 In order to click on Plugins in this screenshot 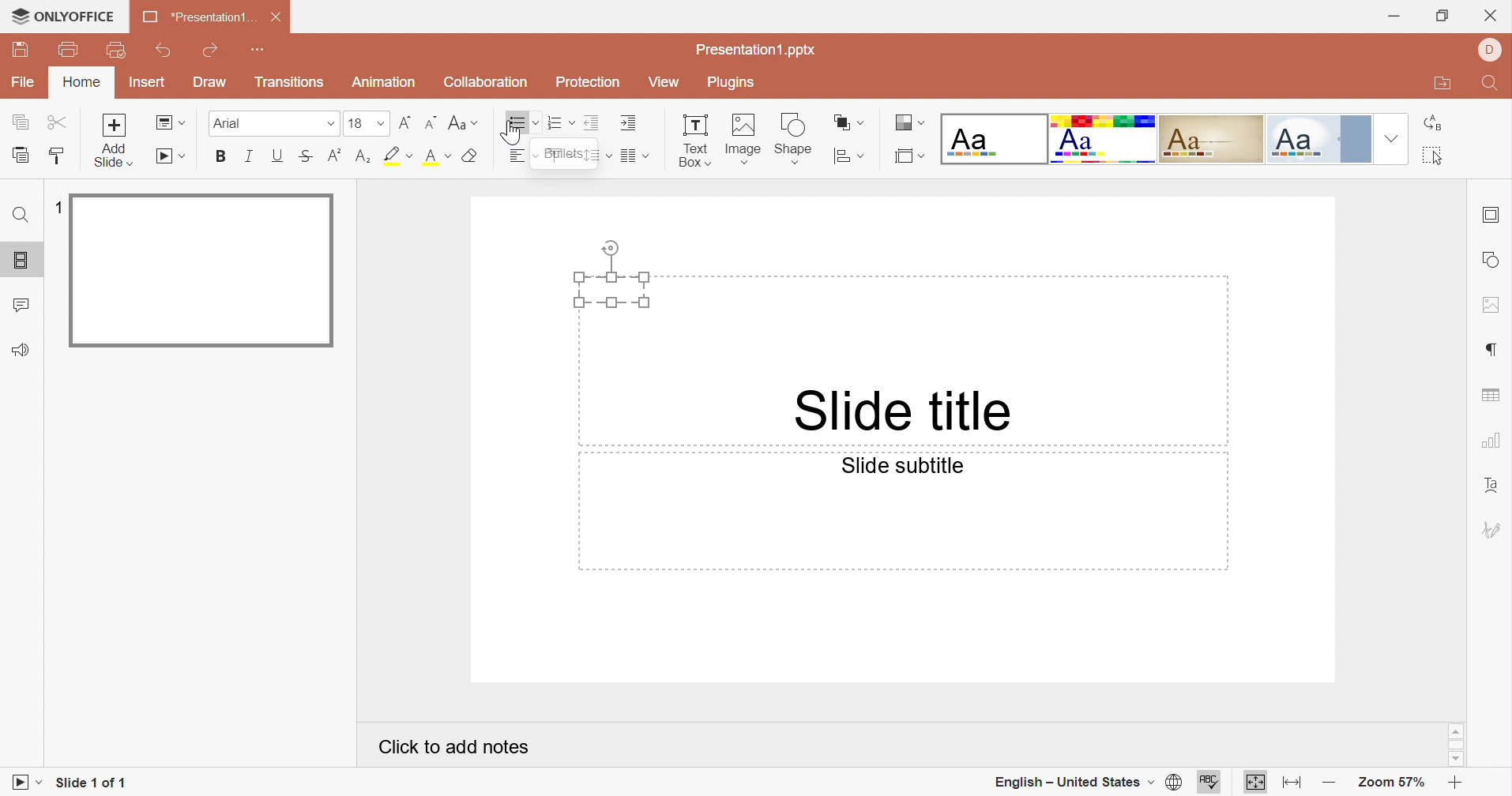, I will do `click(734, 82)`.